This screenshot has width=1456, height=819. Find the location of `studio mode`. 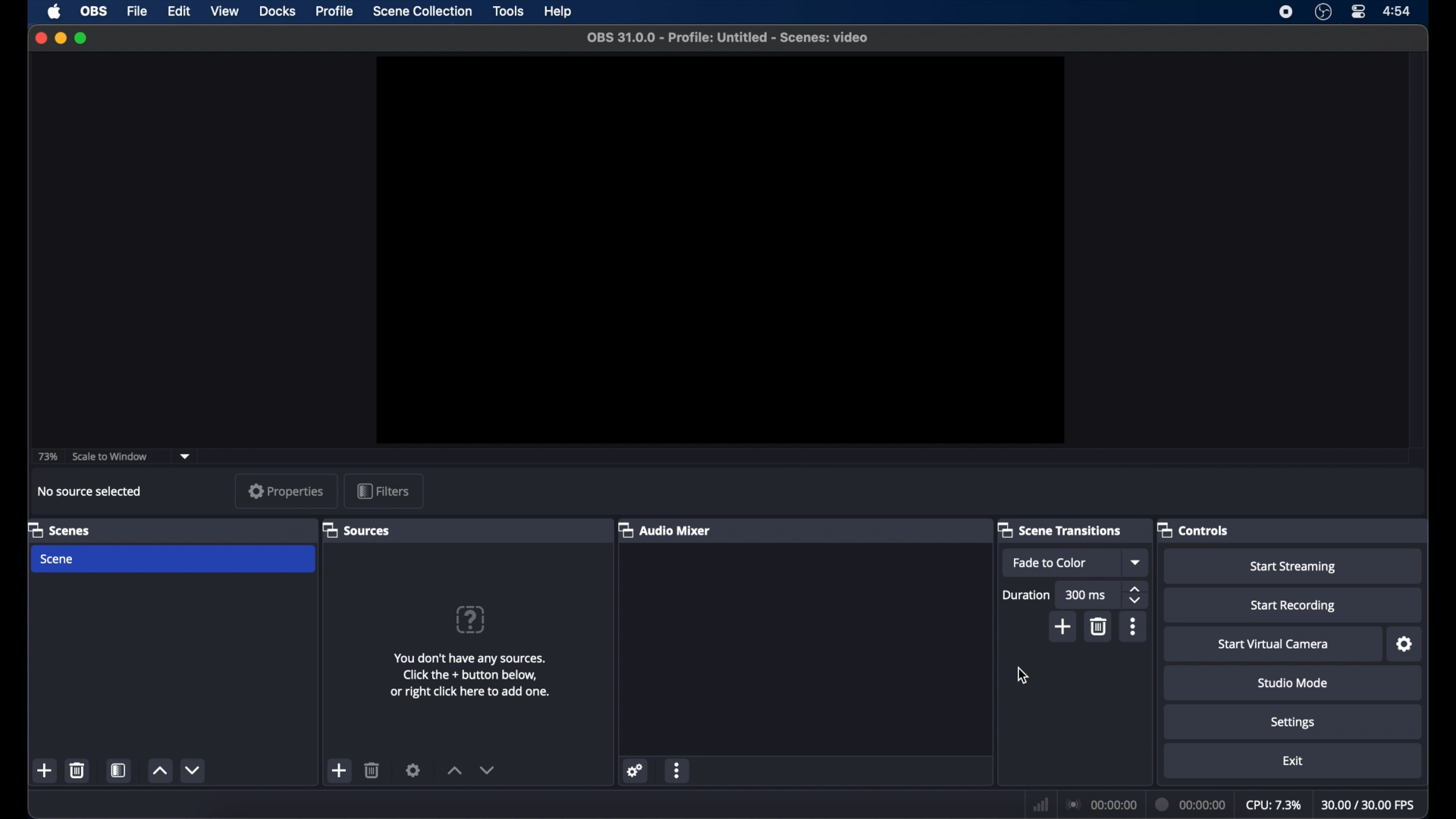

studio mode is located at coordinates (1293, 682).